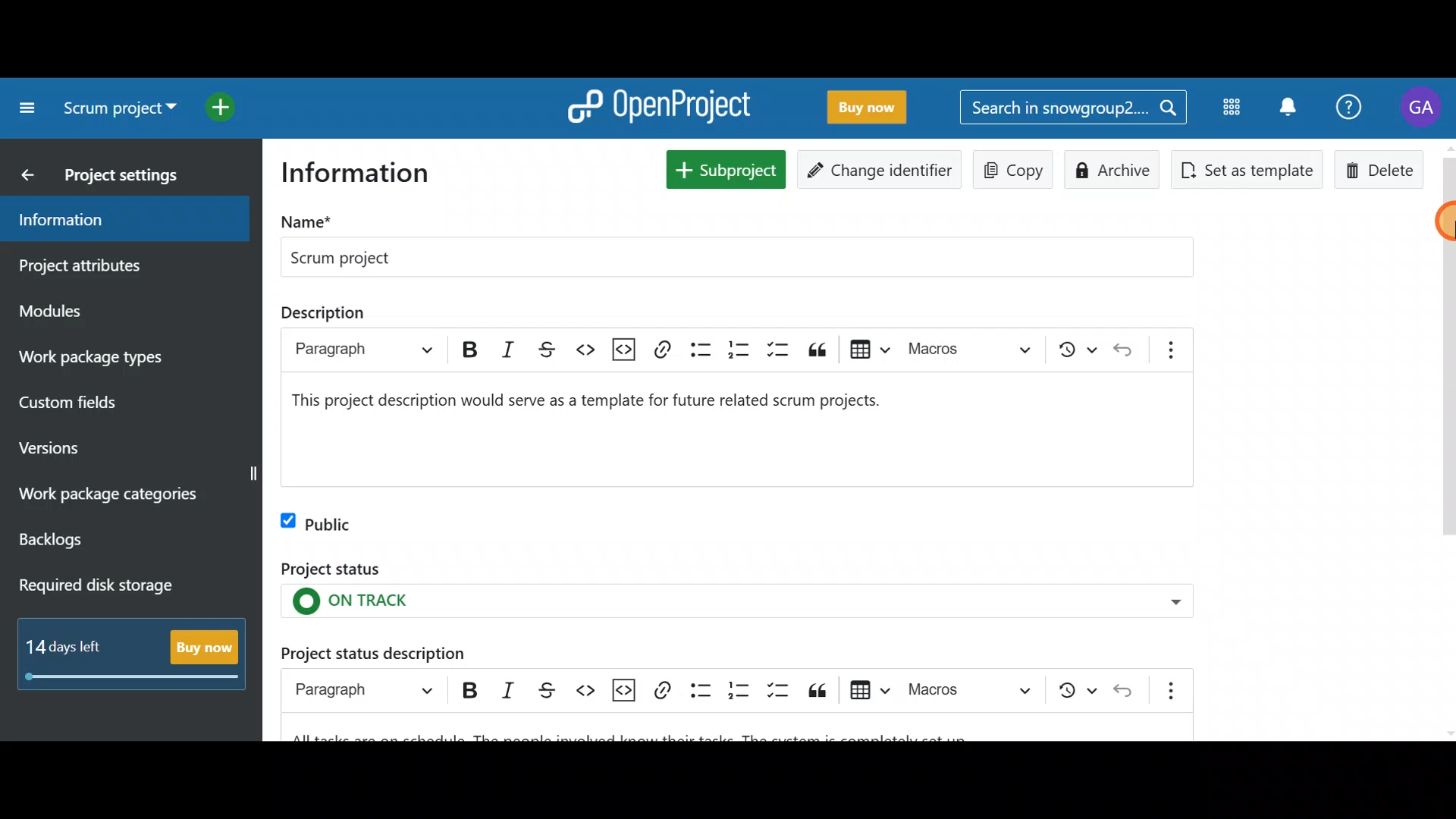 Image resolution: width=1456 pixels, height=819 pixels. What do you see at coordinates (138, 657) in the screenshot?
I see `Buy now` at bounding box center [138, 657].